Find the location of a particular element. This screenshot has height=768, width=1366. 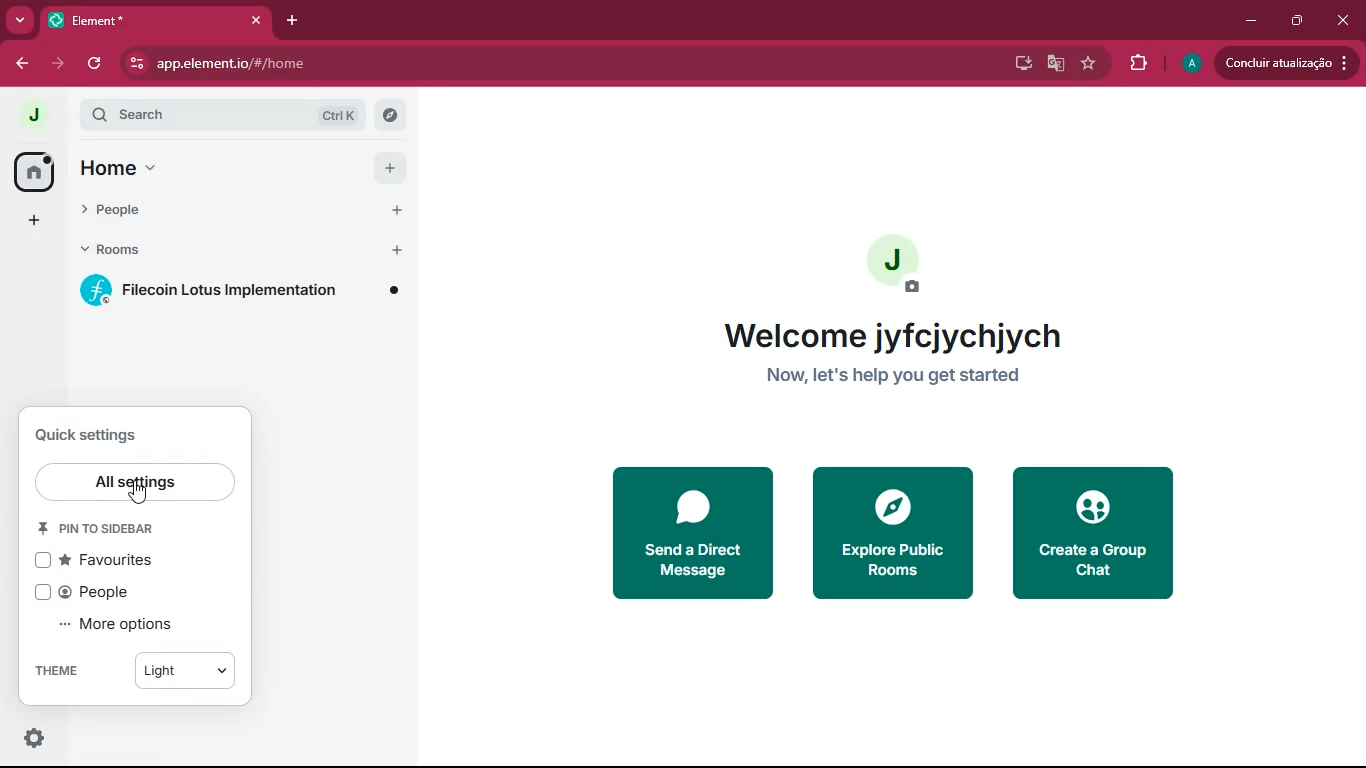

maximize is located at coordinates (1298, 21).